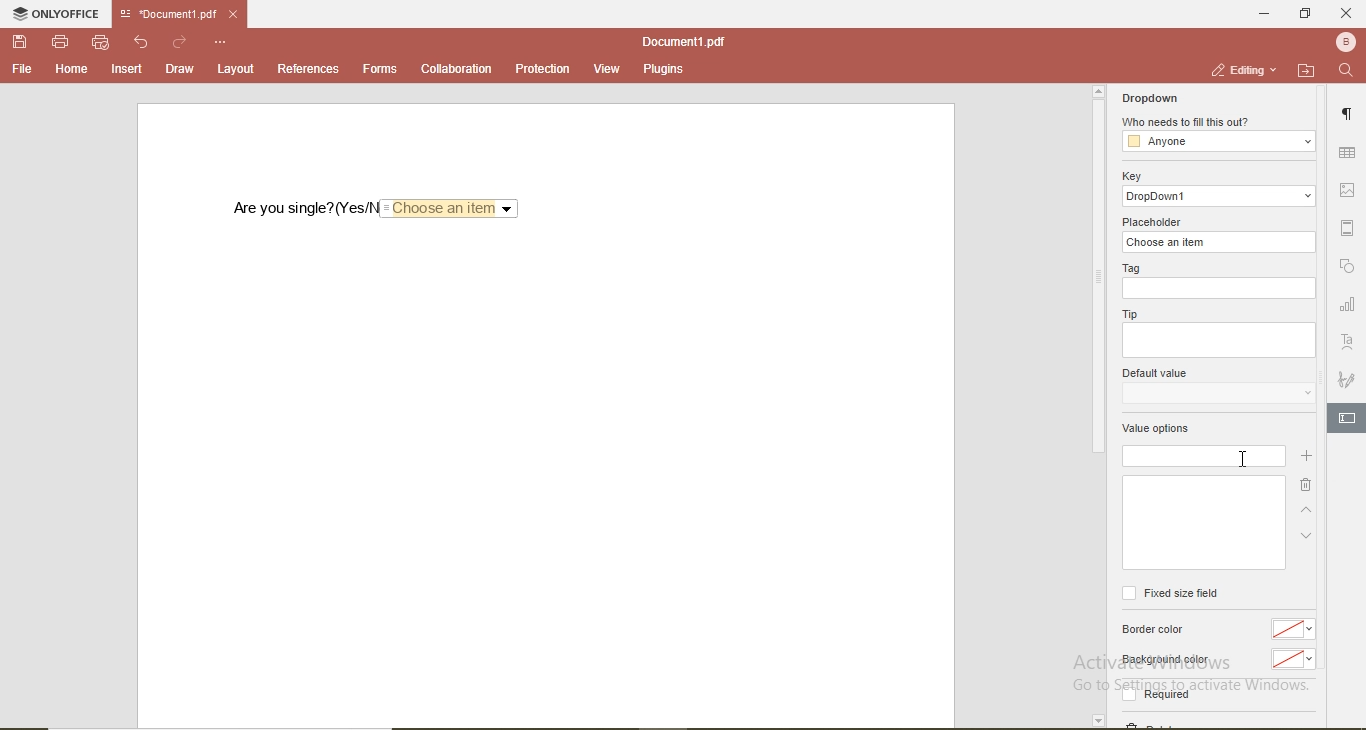  I want to click on home, so click(73, 70).